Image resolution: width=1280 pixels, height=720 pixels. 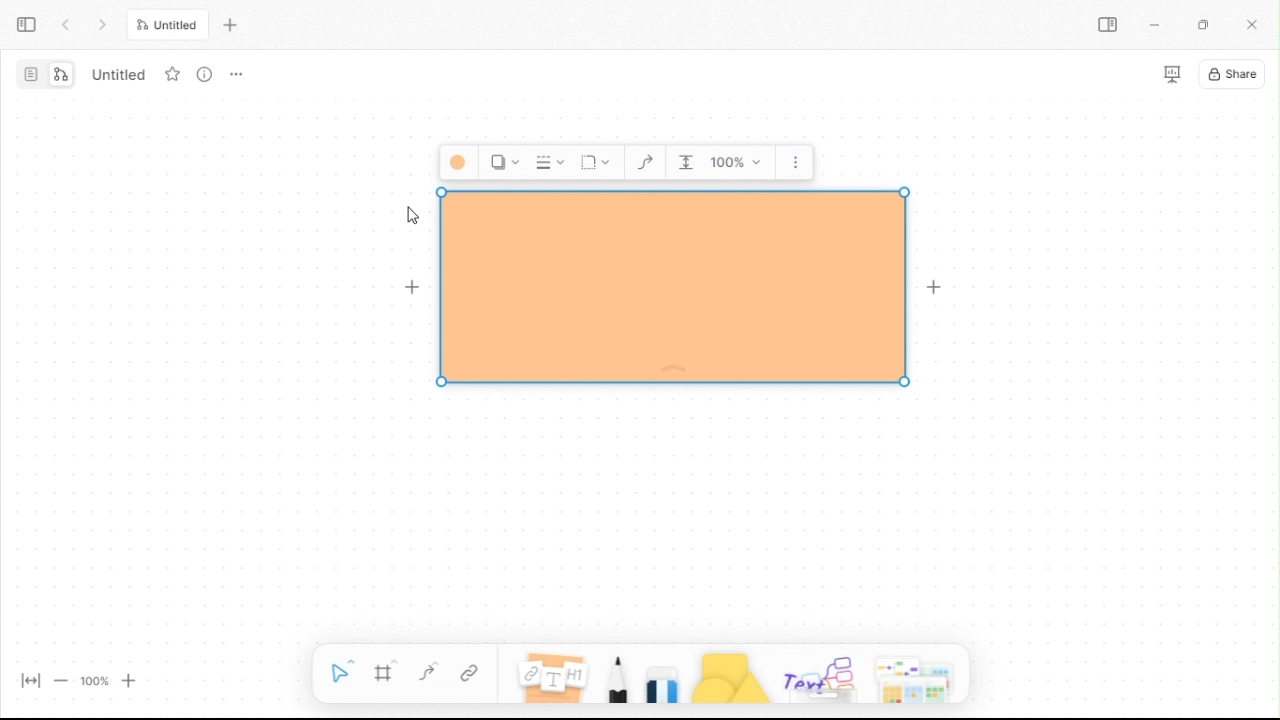 I want to click on more info, so click(x=205, y=73).